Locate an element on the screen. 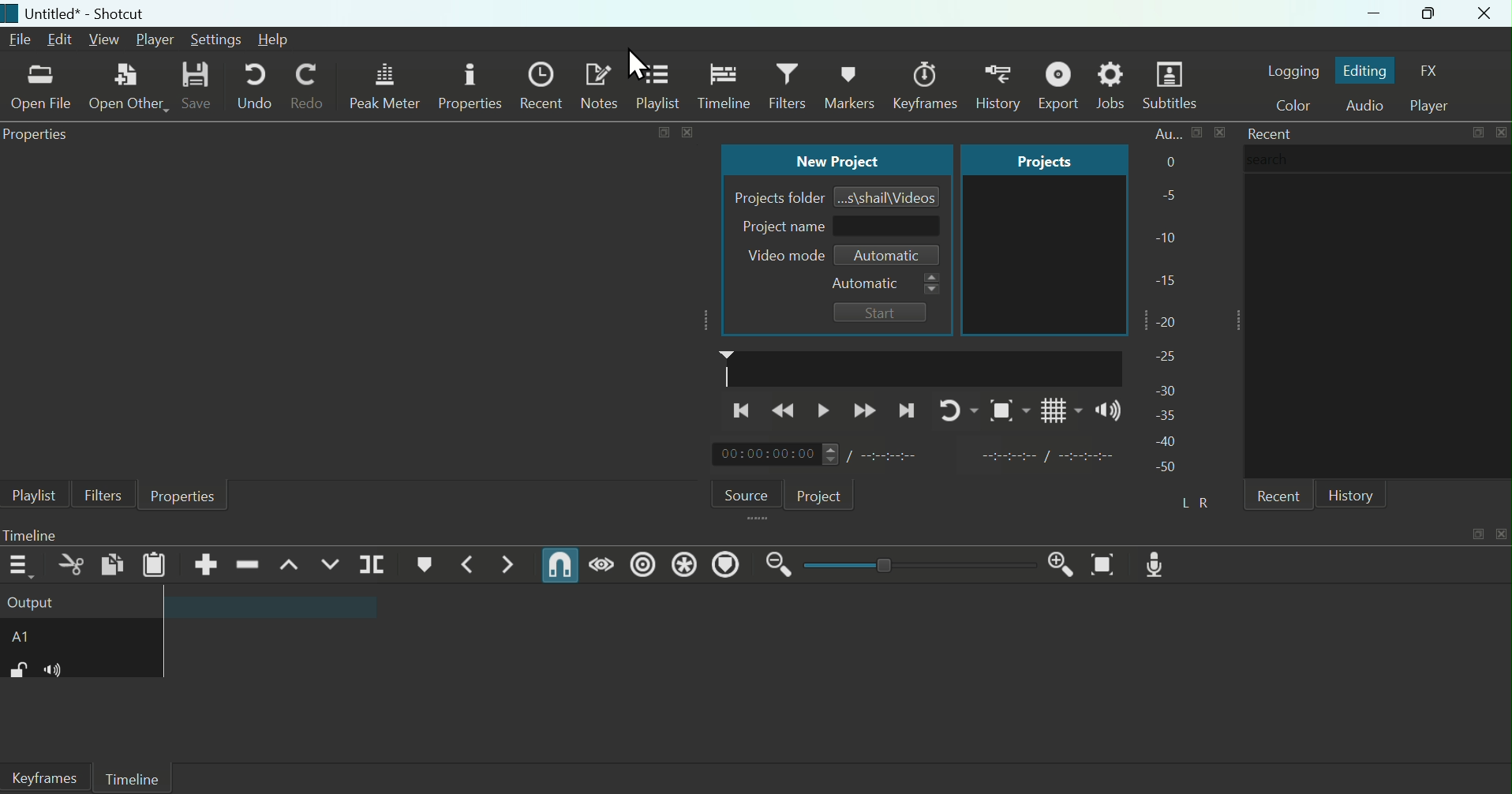 The image size is (1512, 794). Create/Edit Marker is located at coordinates (426, 564).